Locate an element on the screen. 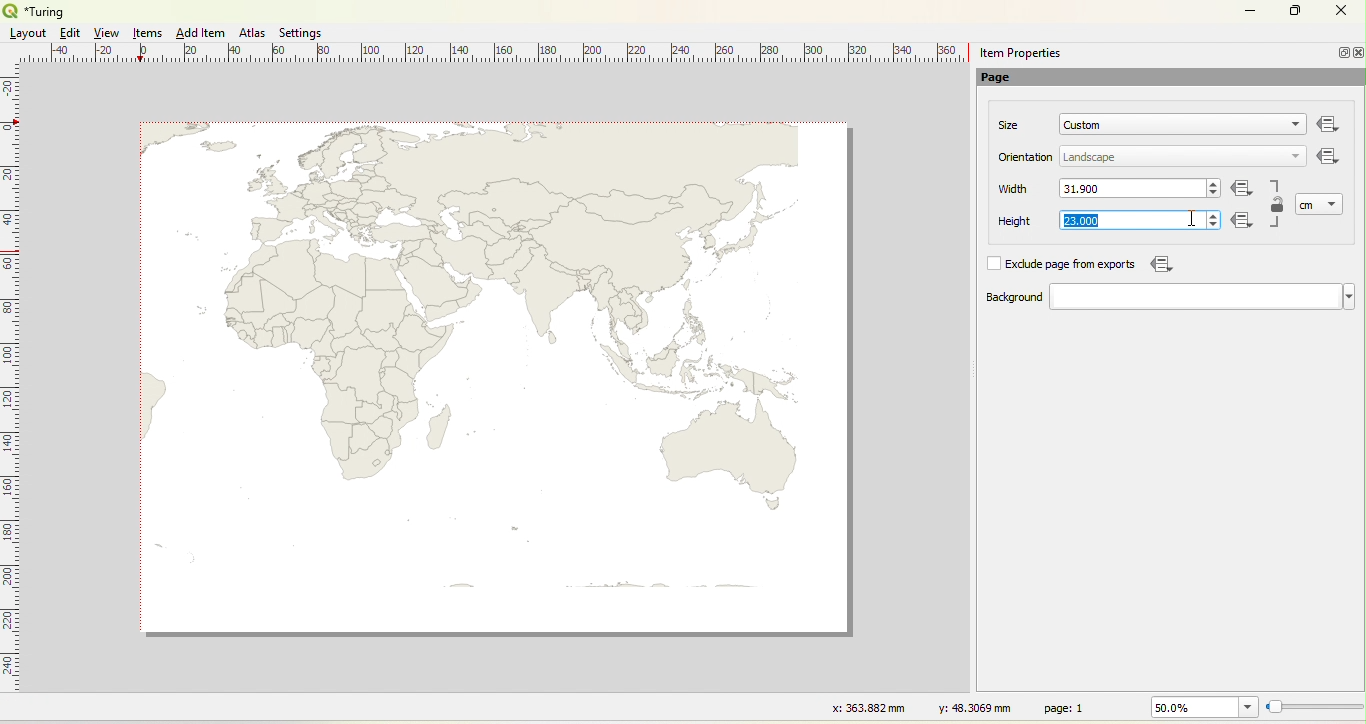 The height and width of the screenshot is (724, 1366). decrease is located at coordinates (1211, 226).